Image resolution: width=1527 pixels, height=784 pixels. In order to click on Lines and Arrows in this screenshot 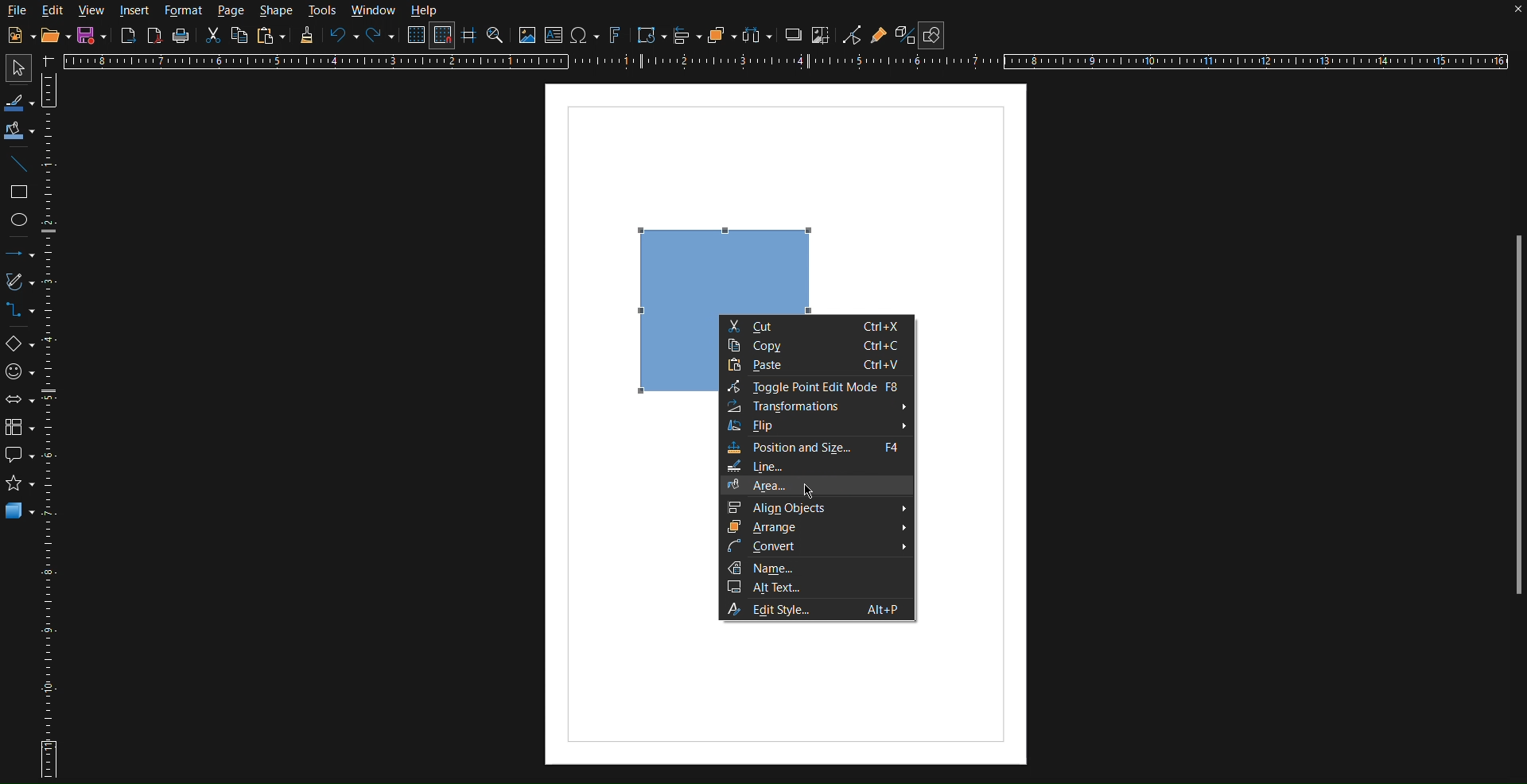, I will do `click(19, 254)`.